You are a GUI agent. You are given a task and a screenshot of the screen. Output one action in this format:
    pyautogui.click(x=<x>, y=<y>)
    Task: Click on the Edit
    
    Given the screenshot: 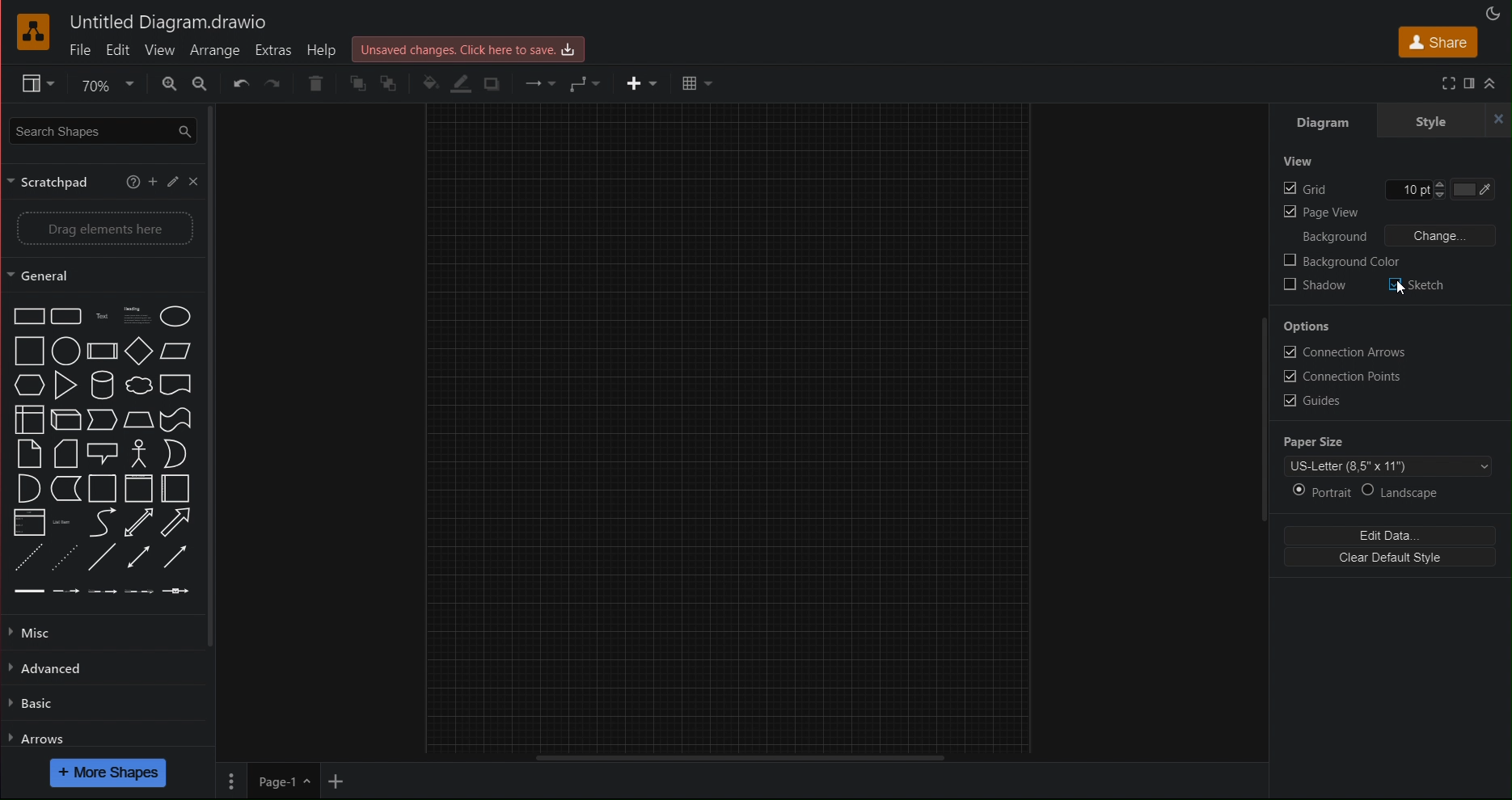 What is the action you would take?
    pyautogui.click(x=121, y=52)
    